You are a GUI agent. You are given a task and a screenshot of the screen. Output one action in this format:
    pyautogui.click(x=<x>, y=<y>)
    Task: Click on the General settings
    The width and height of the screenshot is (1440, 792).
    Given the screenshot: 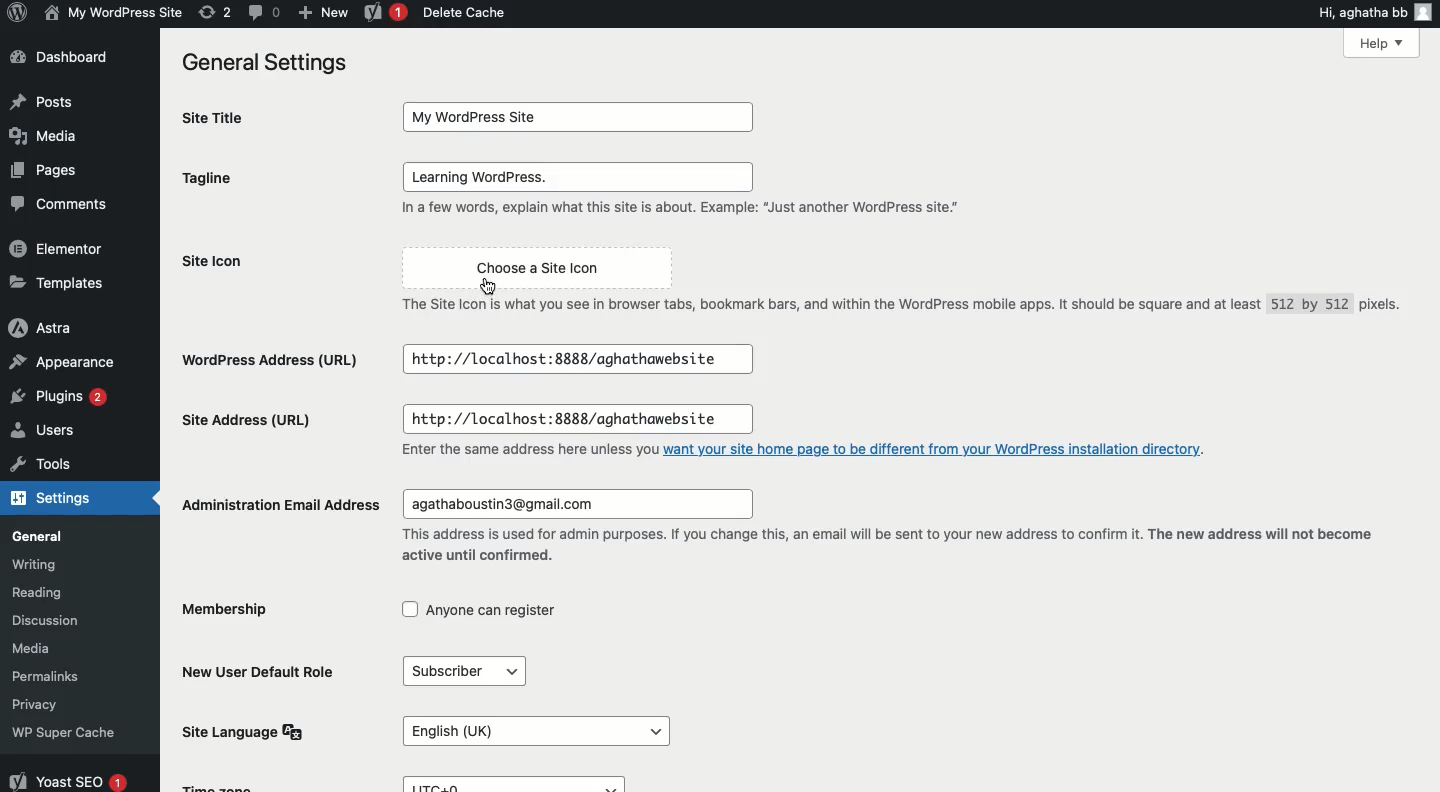 What is the action you would take?
    pyautogui.click(x=269, y=64)
    